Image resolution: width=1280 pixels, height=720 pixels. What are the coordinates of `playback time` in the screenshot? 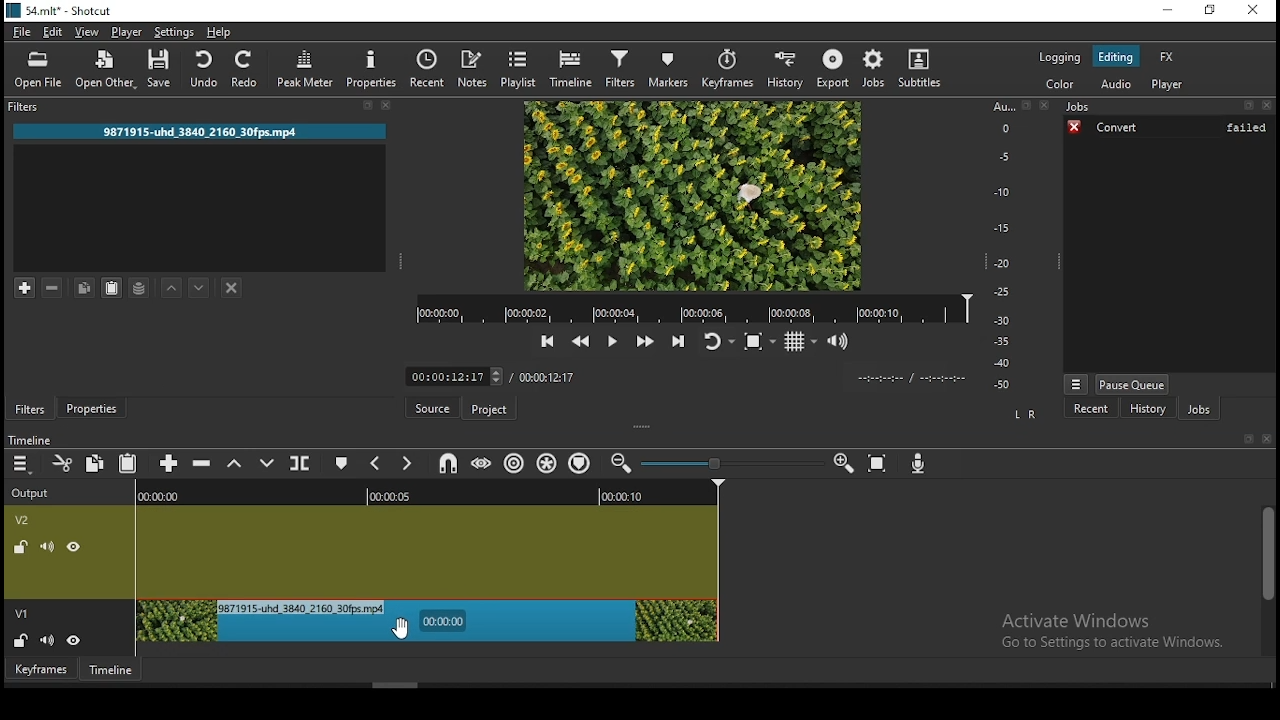 It's located at (693, 309).